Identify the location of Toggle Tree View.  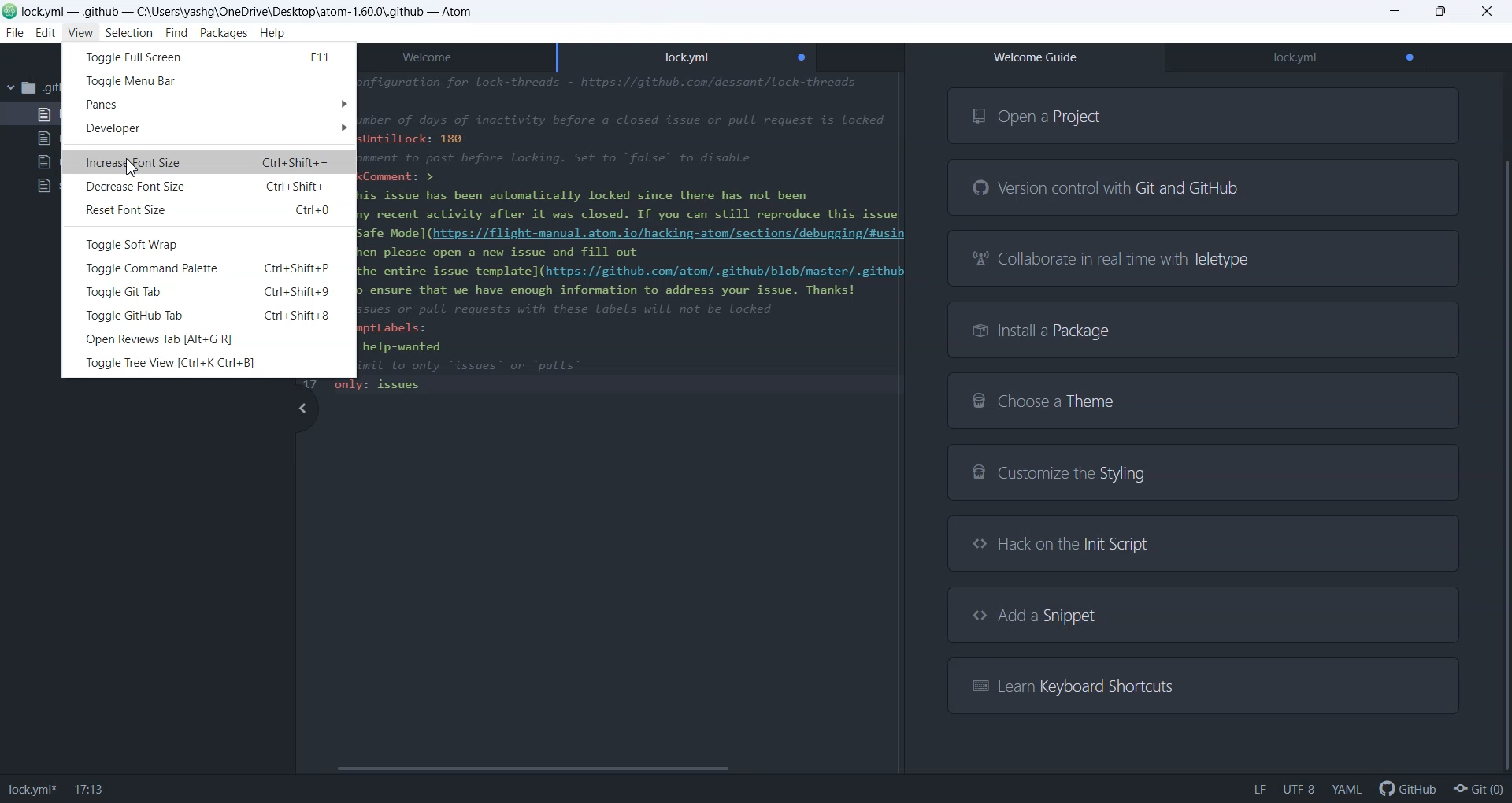
(208, 361).